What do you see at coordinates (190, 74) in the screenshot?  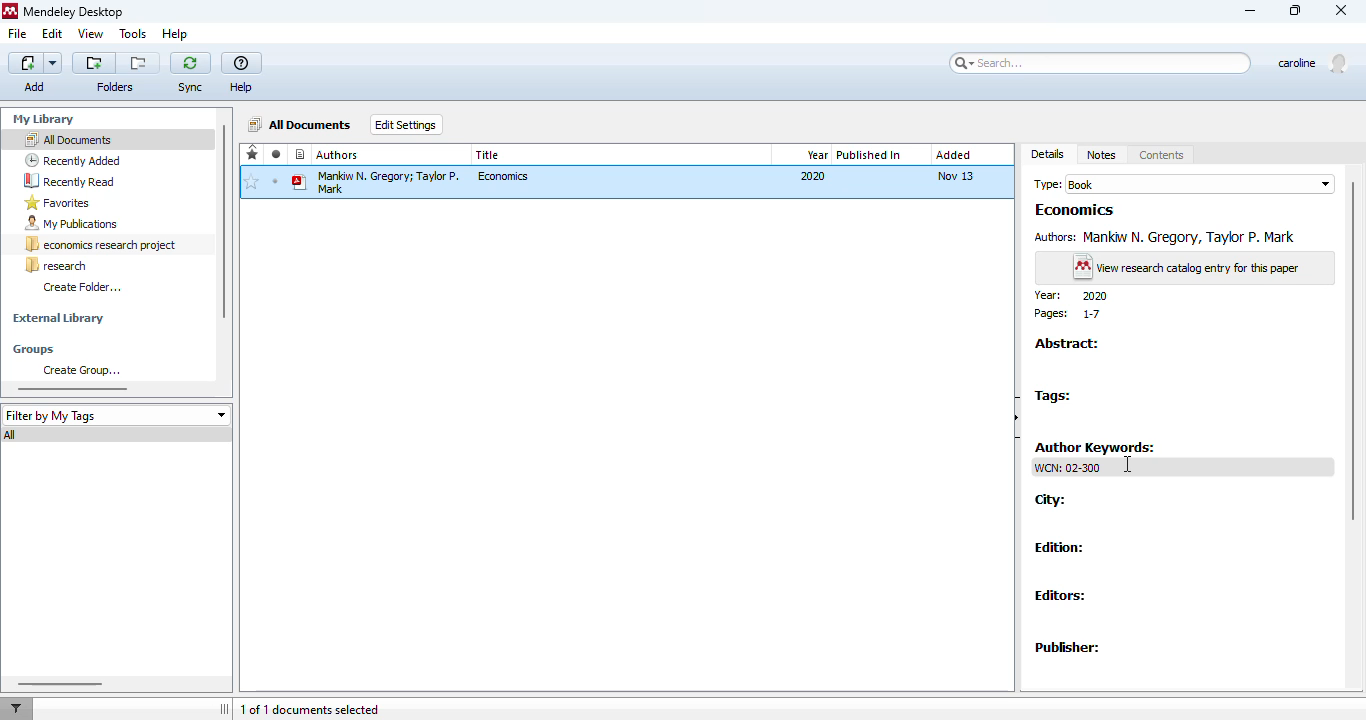 I see `sync` at bounding box center [190, 74].